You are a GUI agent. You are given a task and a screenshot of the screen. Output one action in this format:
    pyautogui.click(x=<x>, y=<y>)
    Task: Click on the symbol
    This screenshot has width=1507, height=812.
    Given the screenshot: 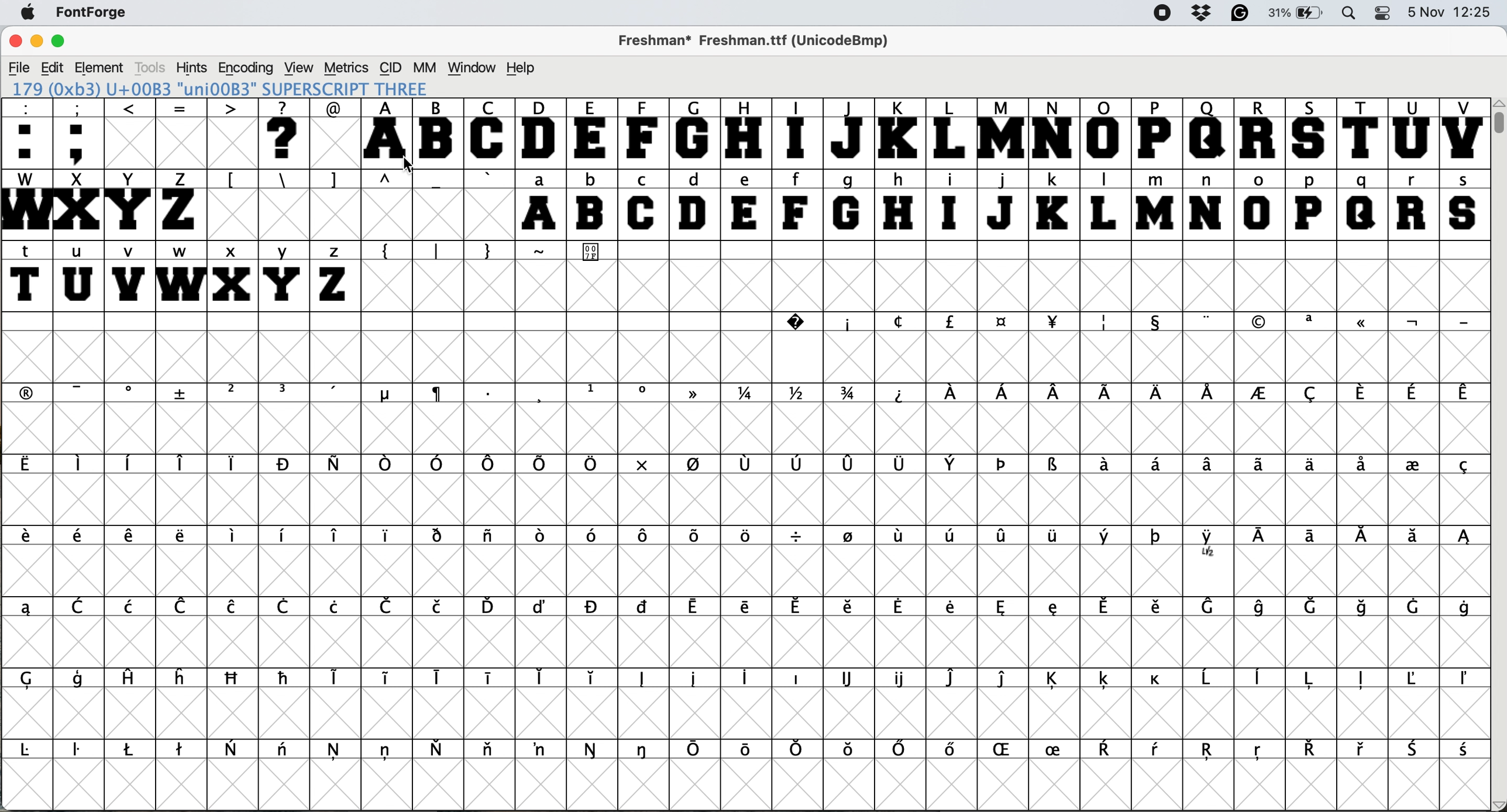 What is the action you would take?
    pyautogui.click(x=130, y=393)
    